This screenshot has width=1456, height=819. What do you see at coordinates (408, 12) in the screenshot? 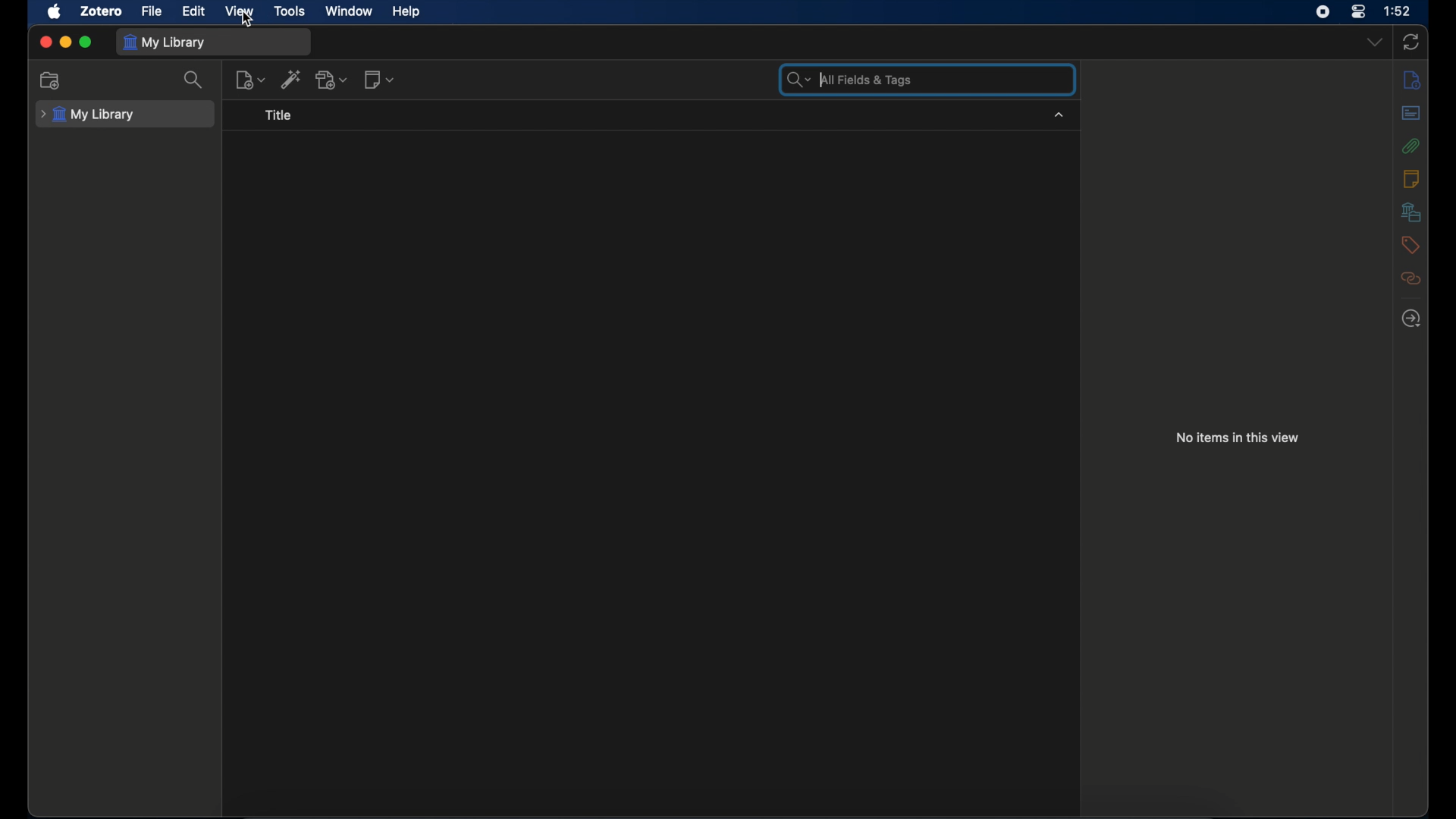
I see `help` at bounding box center [408, 12].